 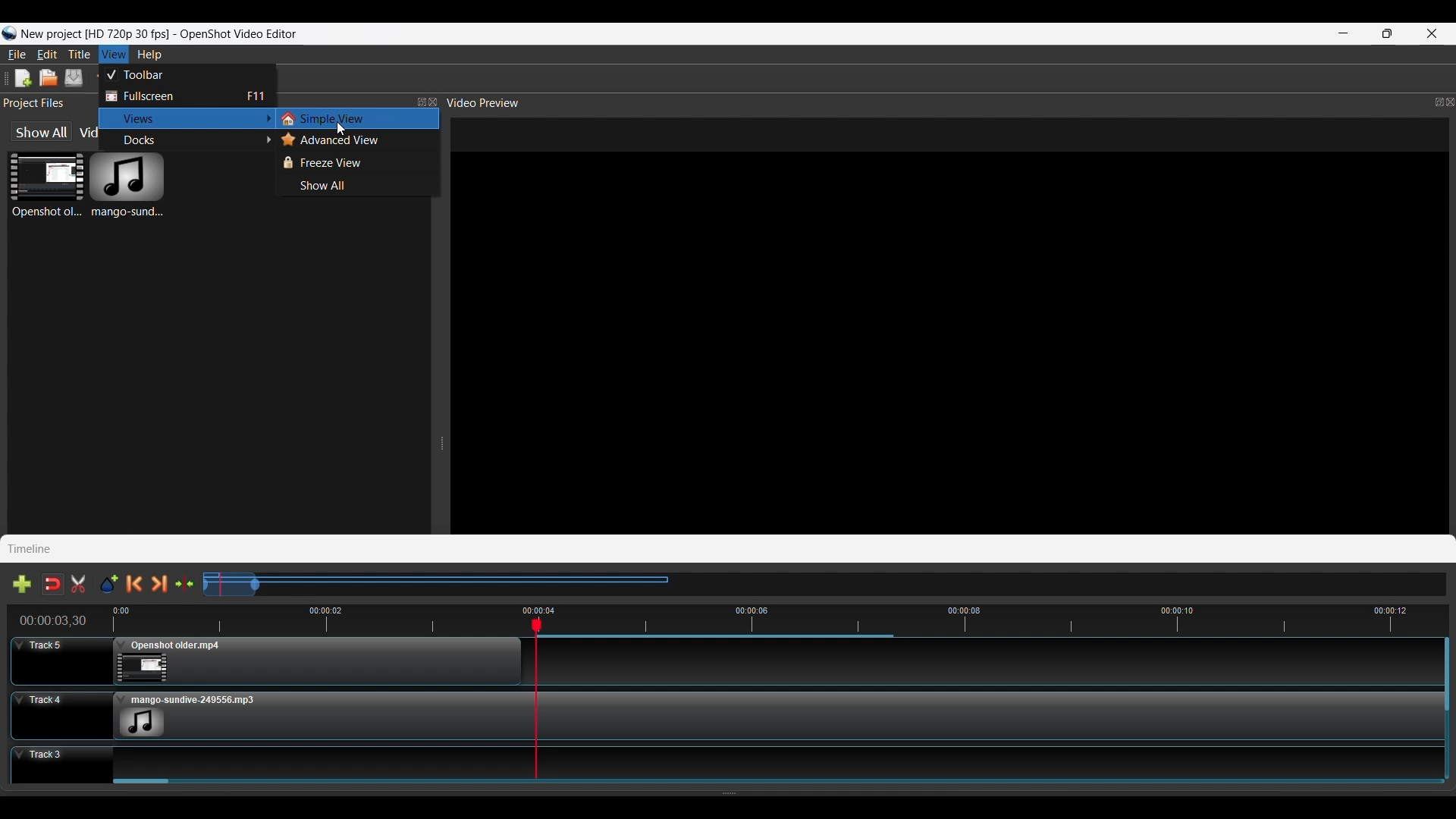 What do you see at coordinates (88, 132) in the screenshot?
I see `Video` at bounding box center [88, 132].